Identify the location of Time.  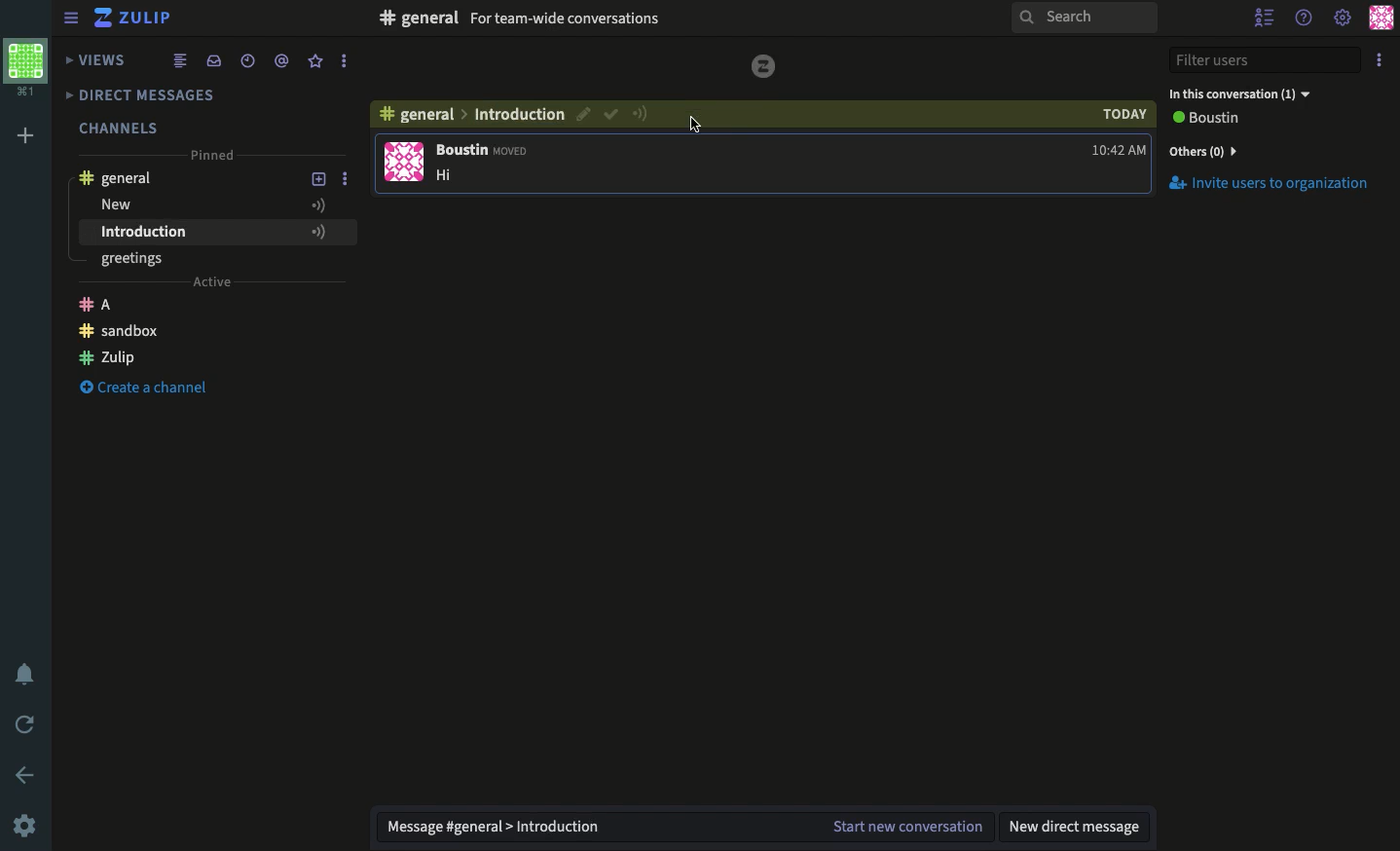
(250, 59).